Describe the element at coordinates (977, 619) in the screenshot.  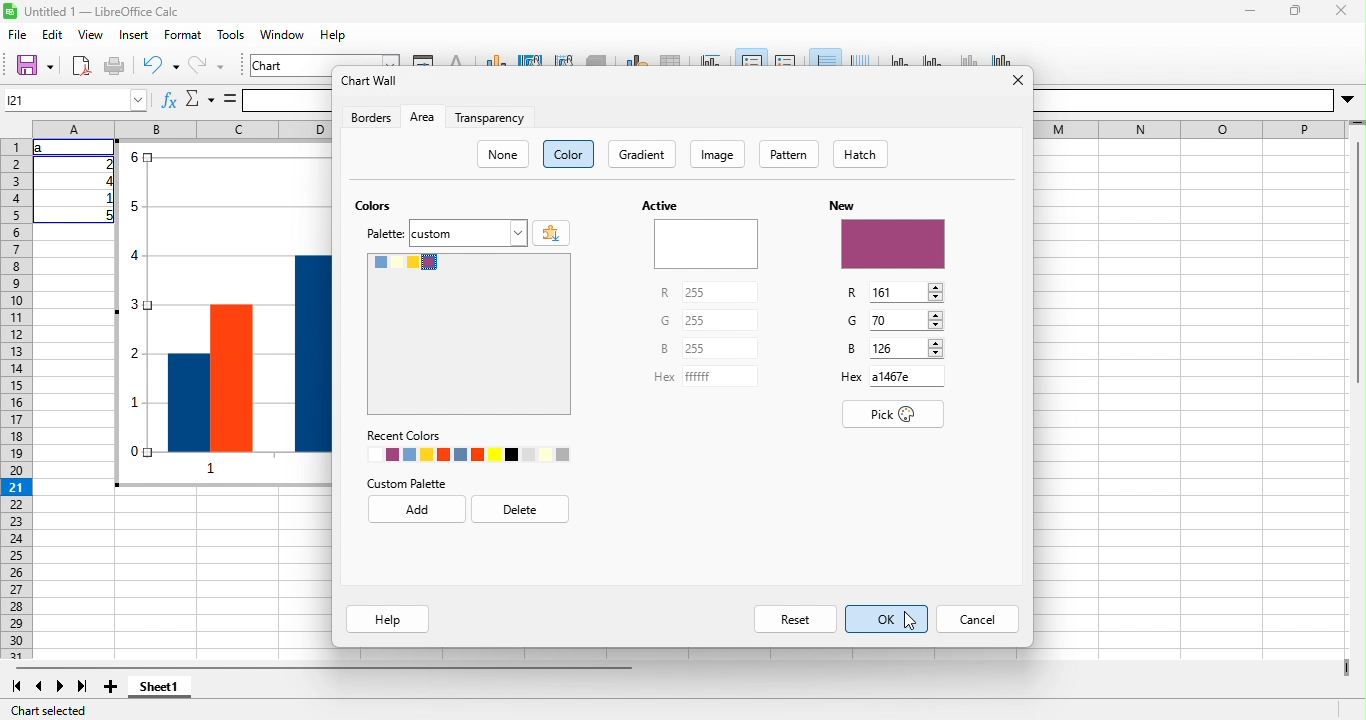
I see `cancel` at that location.